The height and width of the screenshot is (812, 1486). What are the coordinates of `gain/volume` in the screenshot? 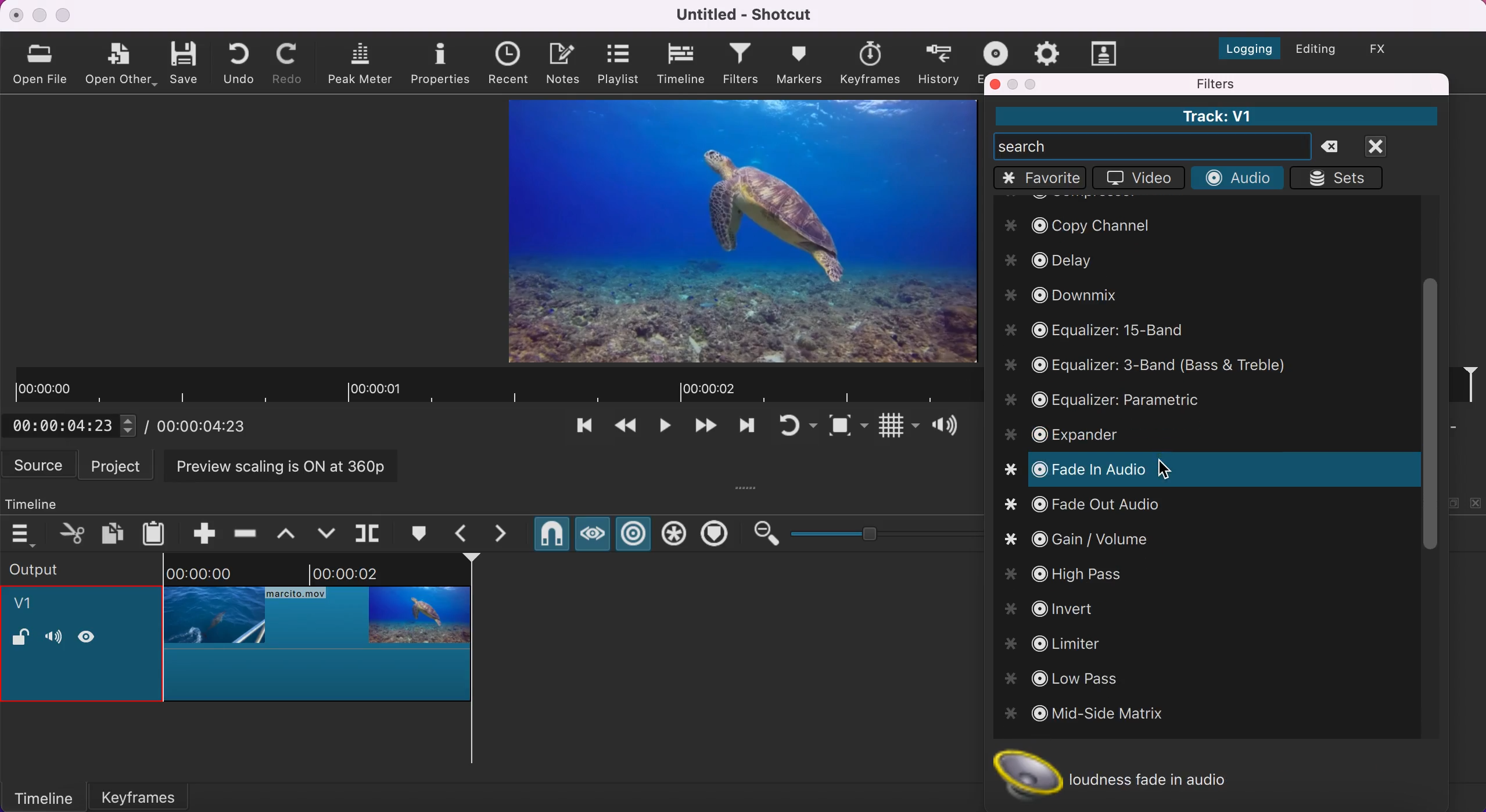 It's located at (1076, 541).